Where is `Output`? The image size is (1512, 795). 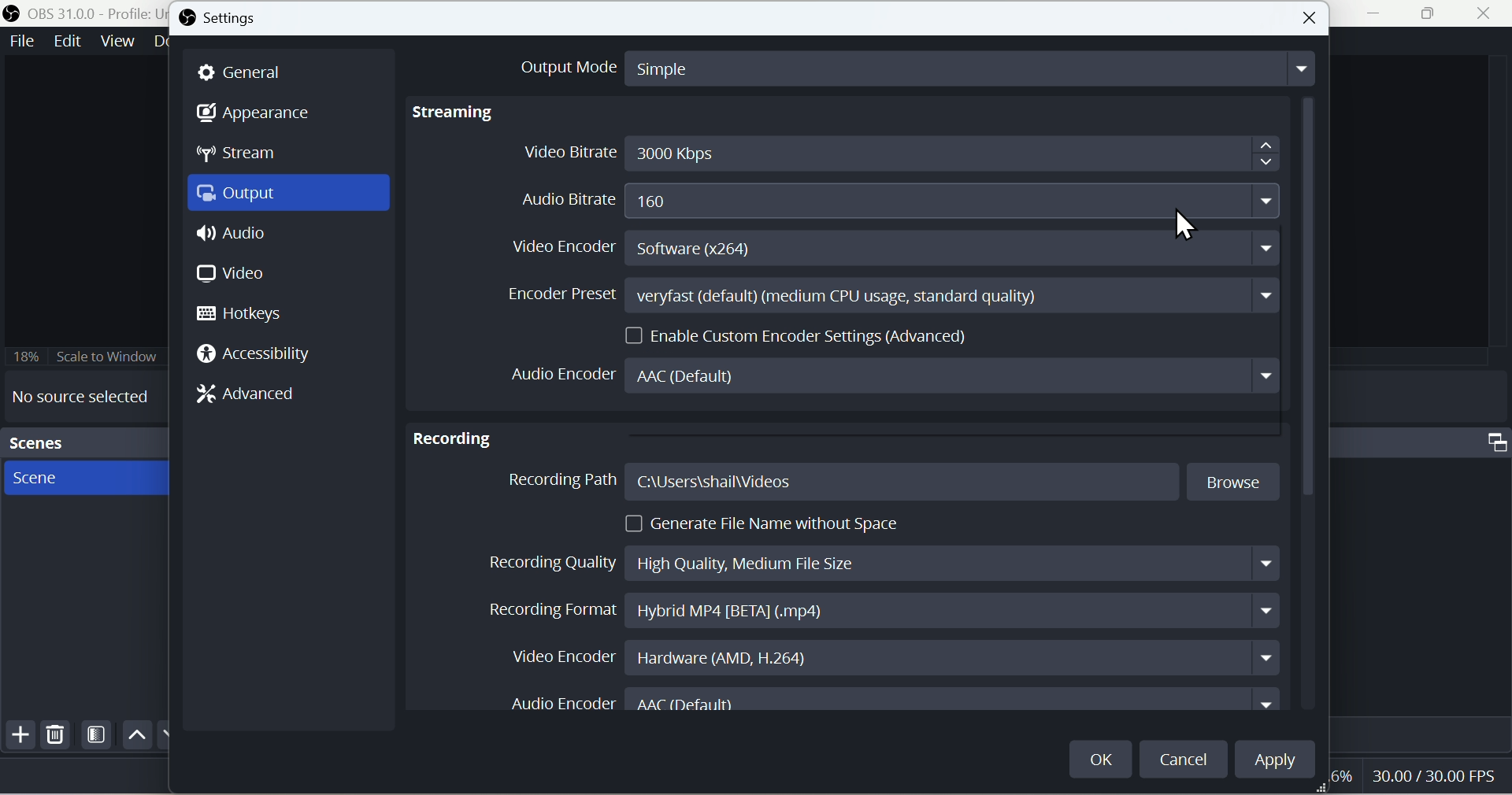
Output is located at coordinates (293, 197).